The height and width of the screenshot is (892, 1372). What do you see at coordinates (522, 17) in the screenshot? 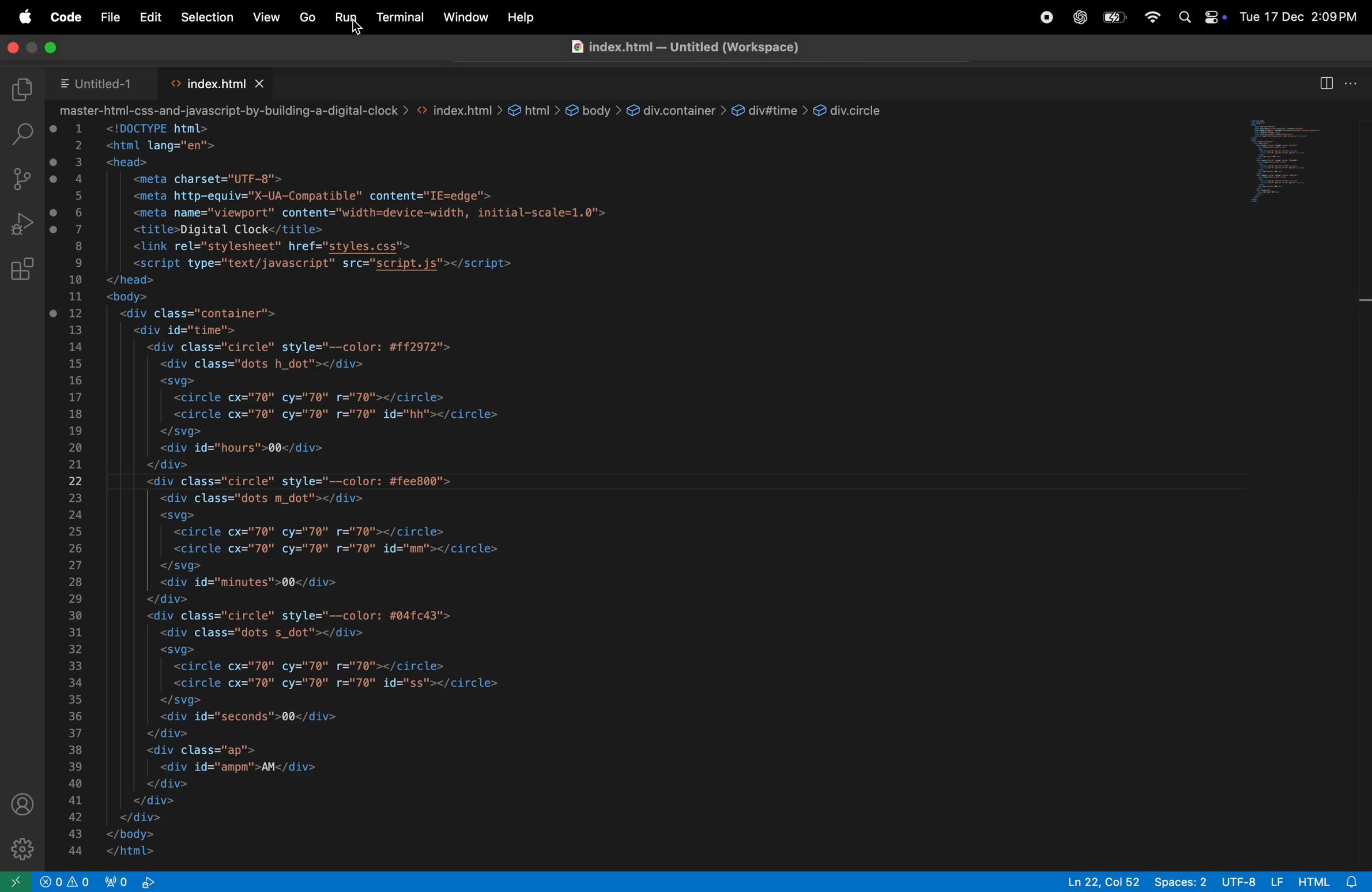
I see `help` at bounding box center [522, 17].